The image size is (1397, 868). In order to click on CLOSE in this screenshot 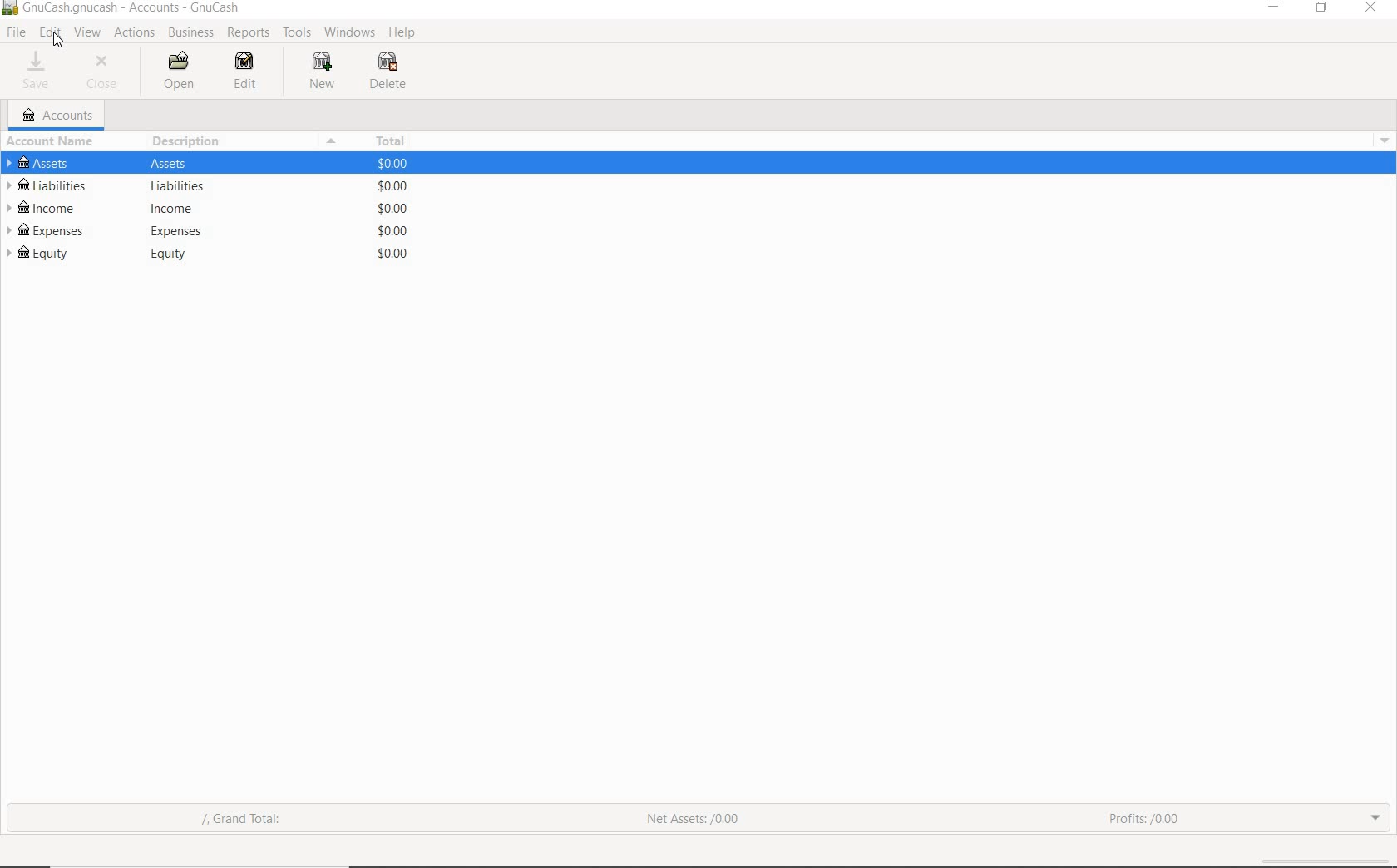, I will do `click(106, 74)`.